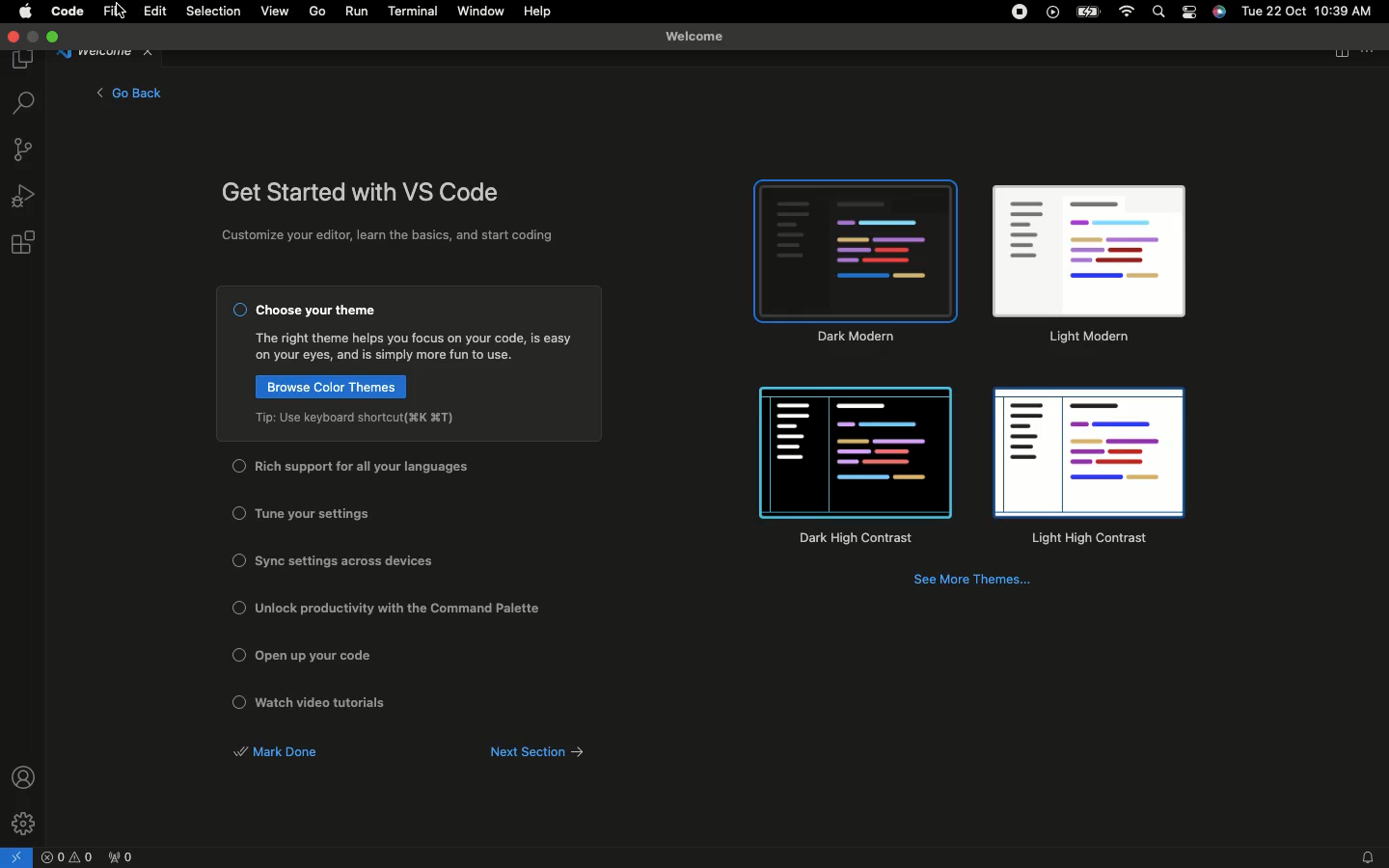  I want to click on Unlock productivity with the common palette, so click(404, 609).